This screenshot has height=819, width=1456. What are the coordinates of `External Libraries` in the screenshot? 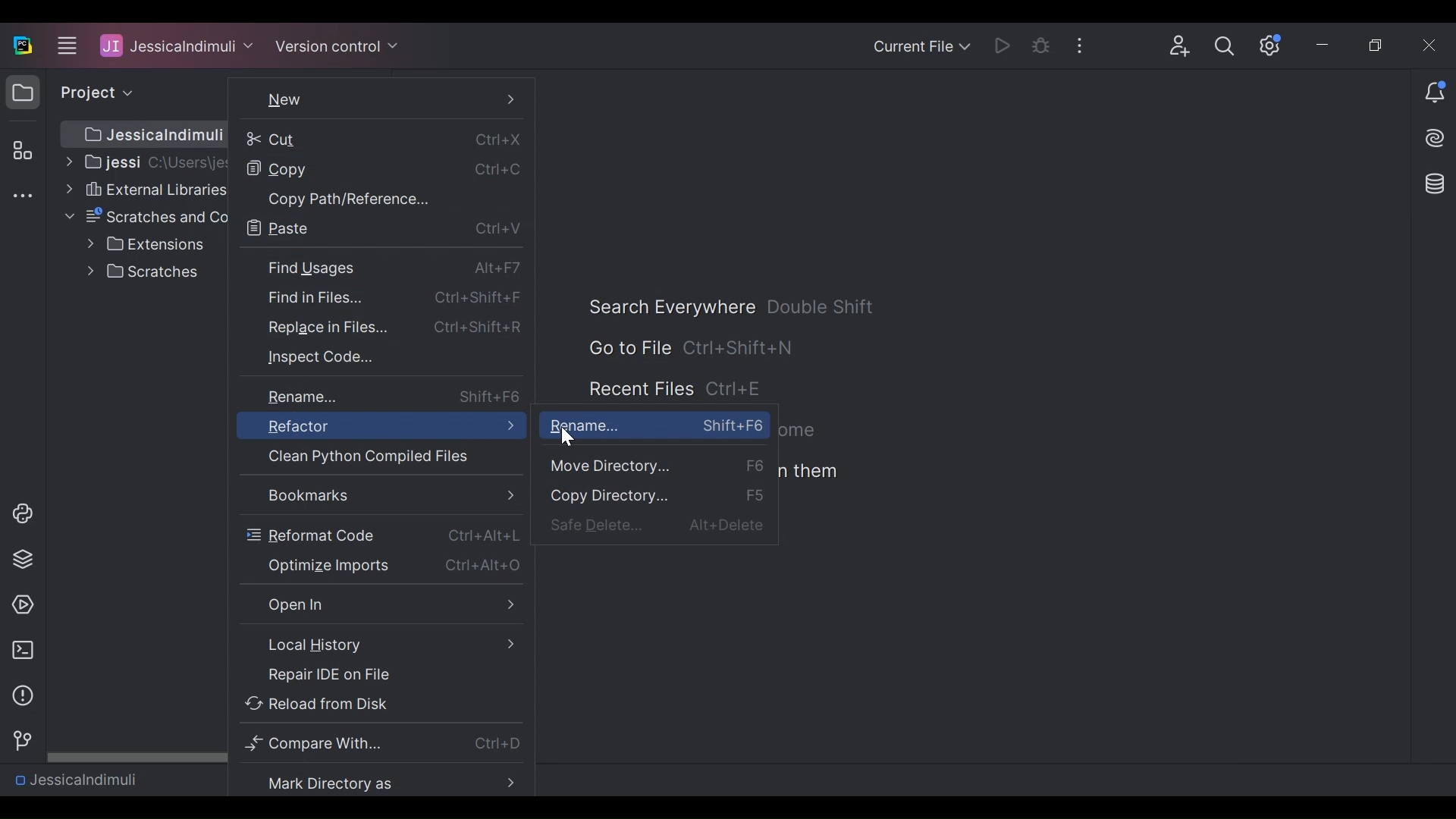 It's located at (145, 189).